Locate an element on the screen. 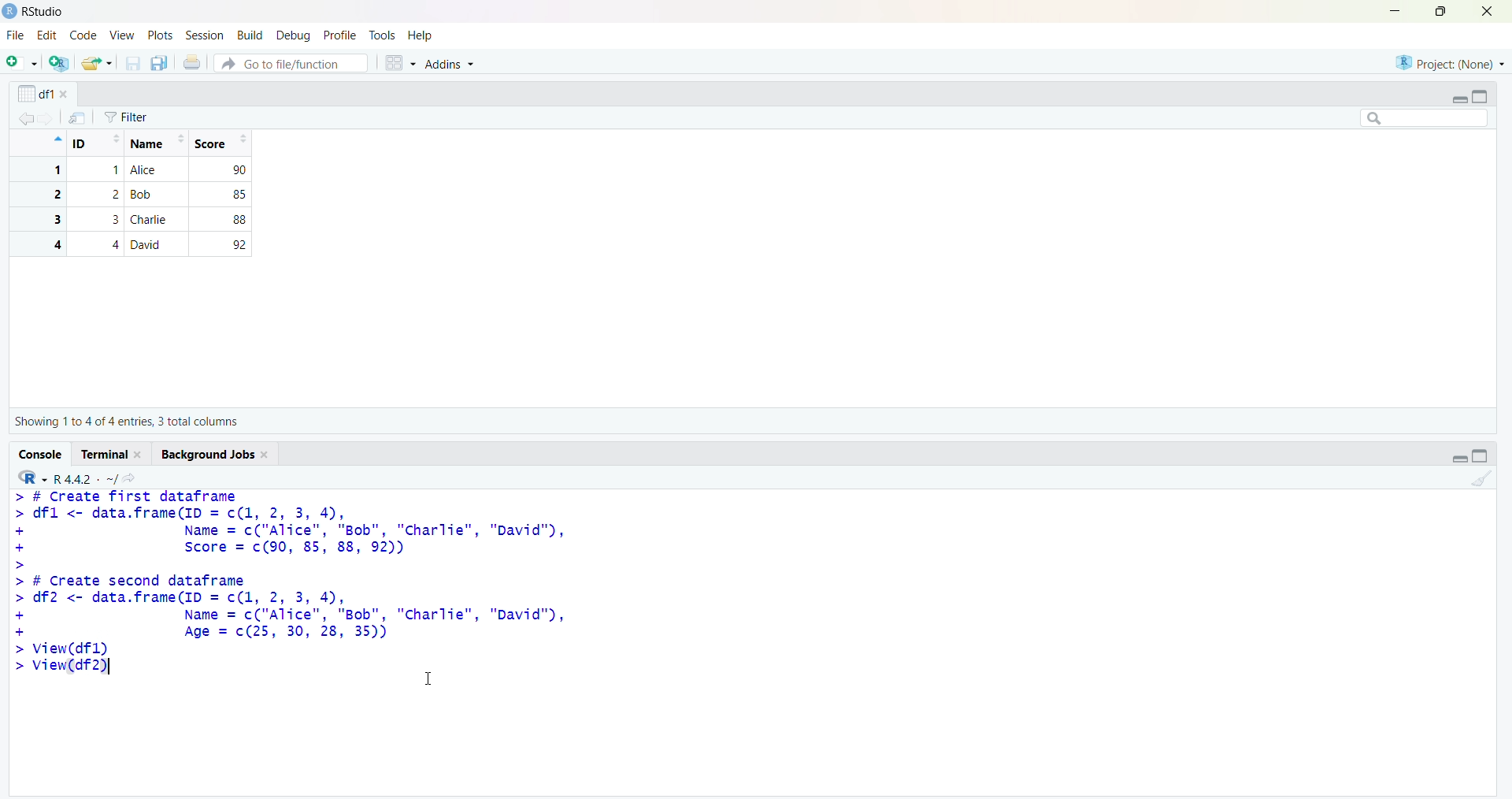 This screenshot has height=799, width=1512. add file as is located at coordinates (25, 62).